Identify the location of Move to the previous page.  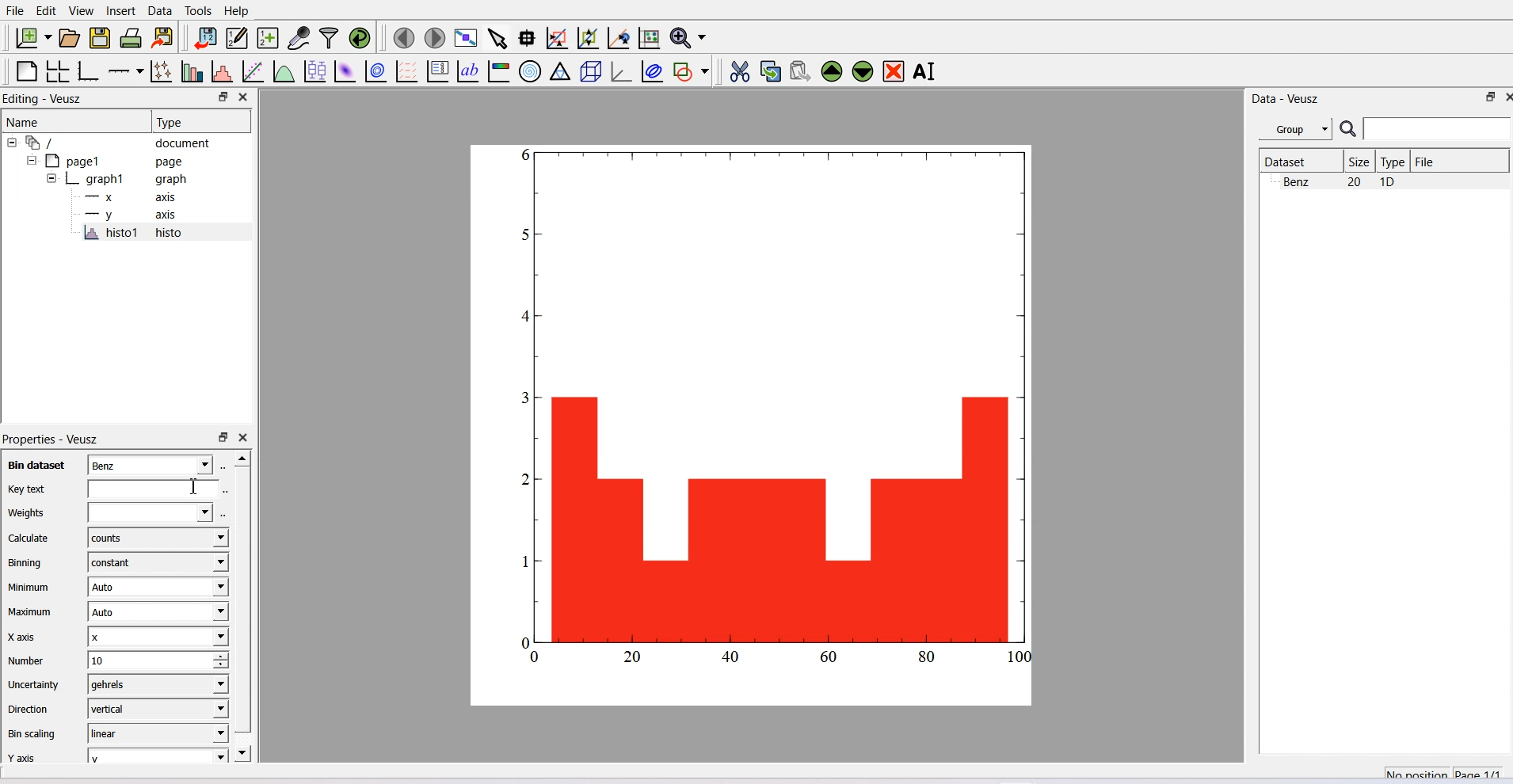
(403, 38).